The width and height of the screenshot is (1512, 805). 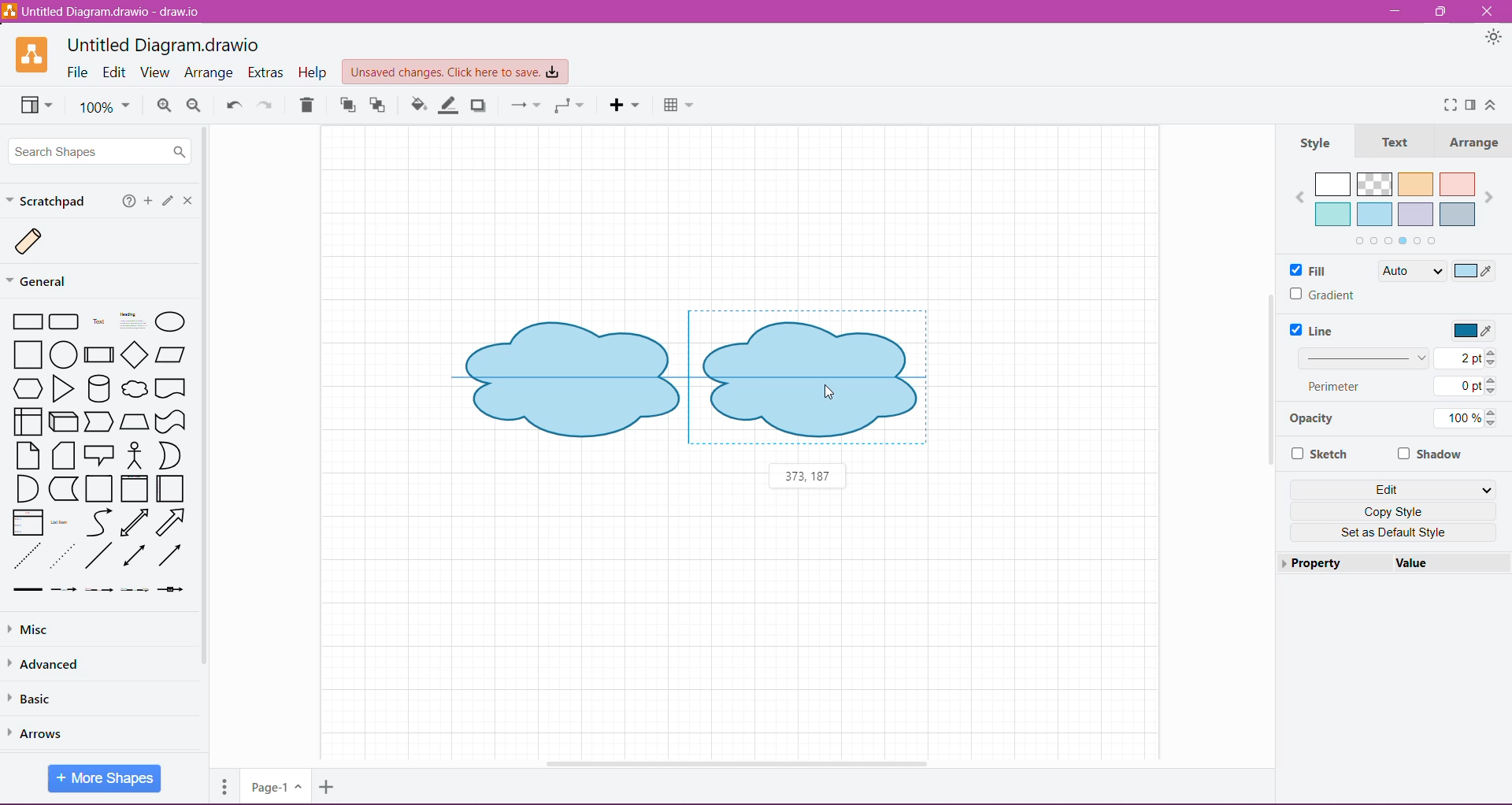 What do you see at coordinates (1399, 143) in the screenshot?
I see `Text` at bounding box center [1399, 143].